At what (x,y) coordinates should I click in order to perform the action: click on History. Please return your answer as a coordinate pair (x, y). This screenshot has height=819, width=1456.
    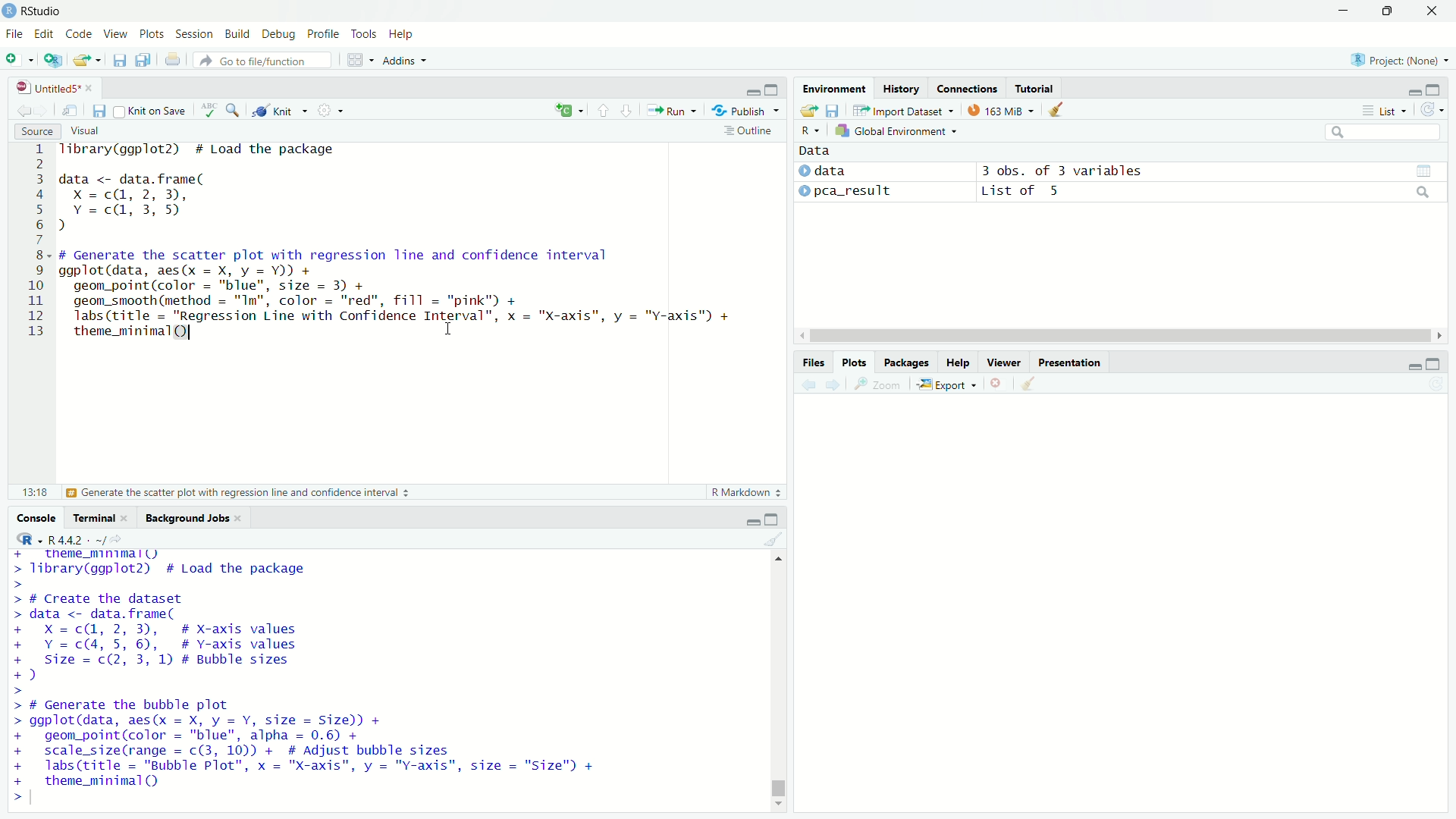
    Looking at the image, I should click on (902, 87).